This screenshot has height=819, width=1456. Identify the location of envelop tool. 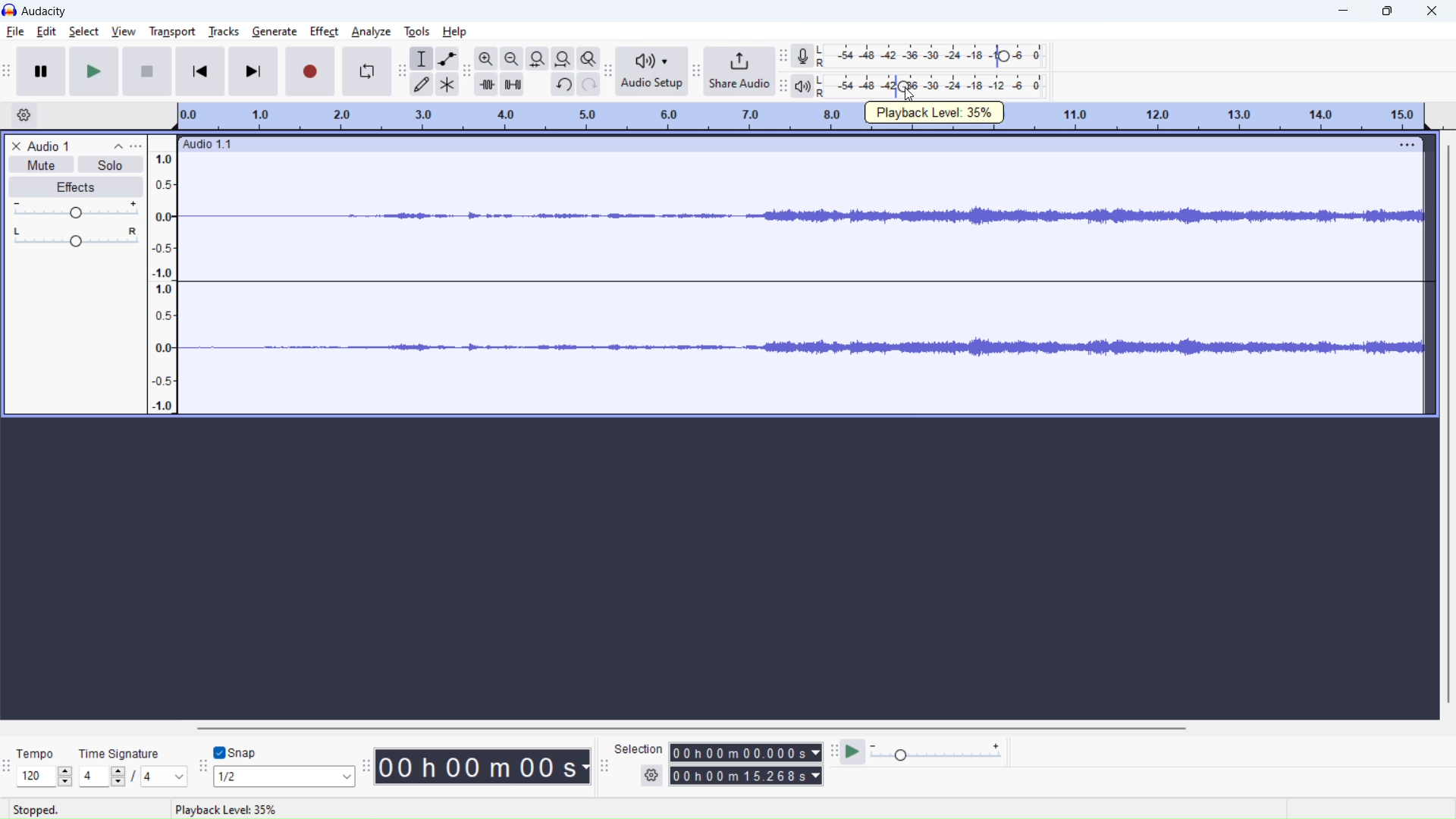
(447, 58).